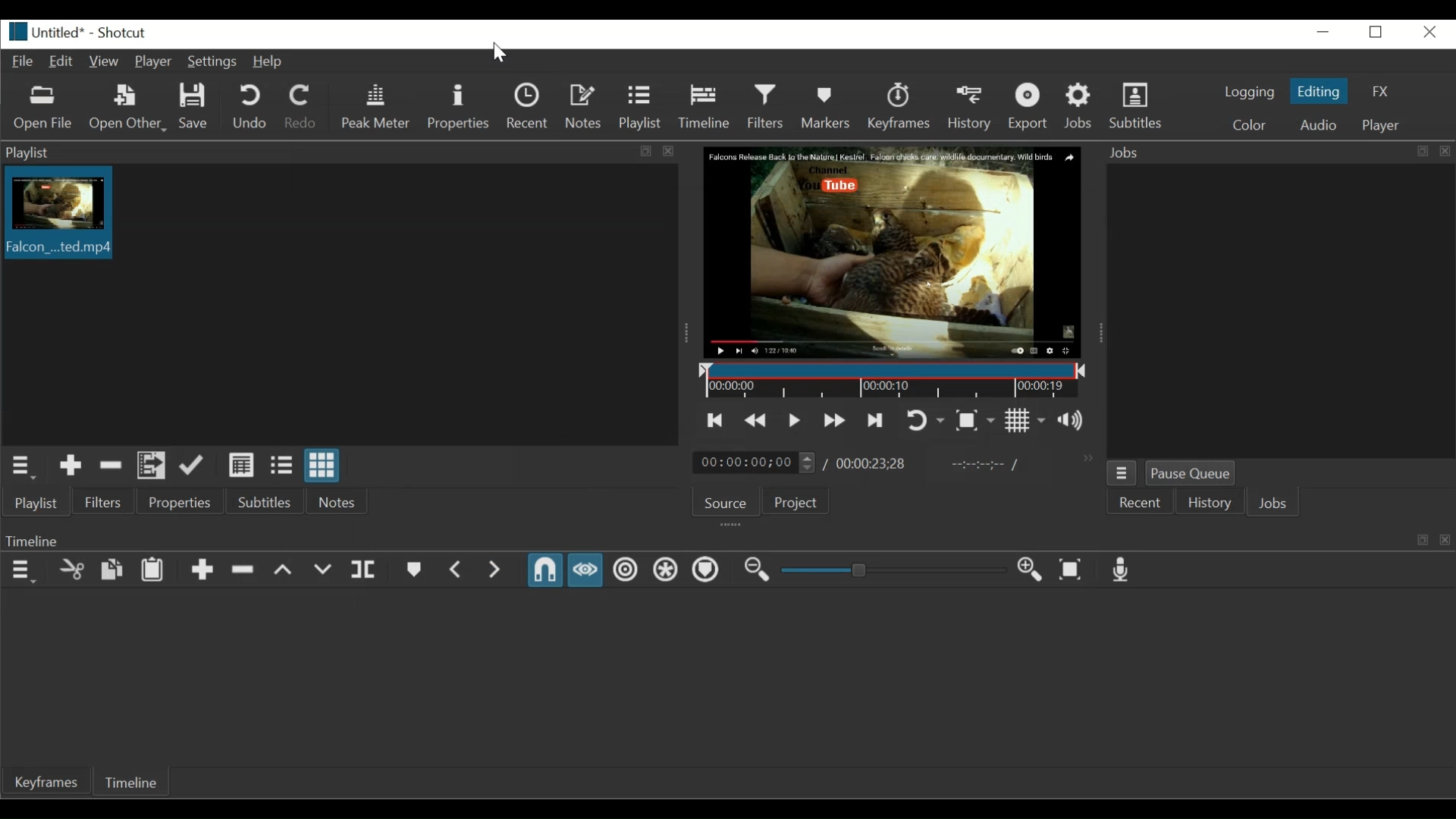 Image resolution: width=1456 pixels, height=819 pixels. What do you see at coordinates (1276, 309) in the screenshot?
I see `Jobs panel` at bounding box center [1276, 309].